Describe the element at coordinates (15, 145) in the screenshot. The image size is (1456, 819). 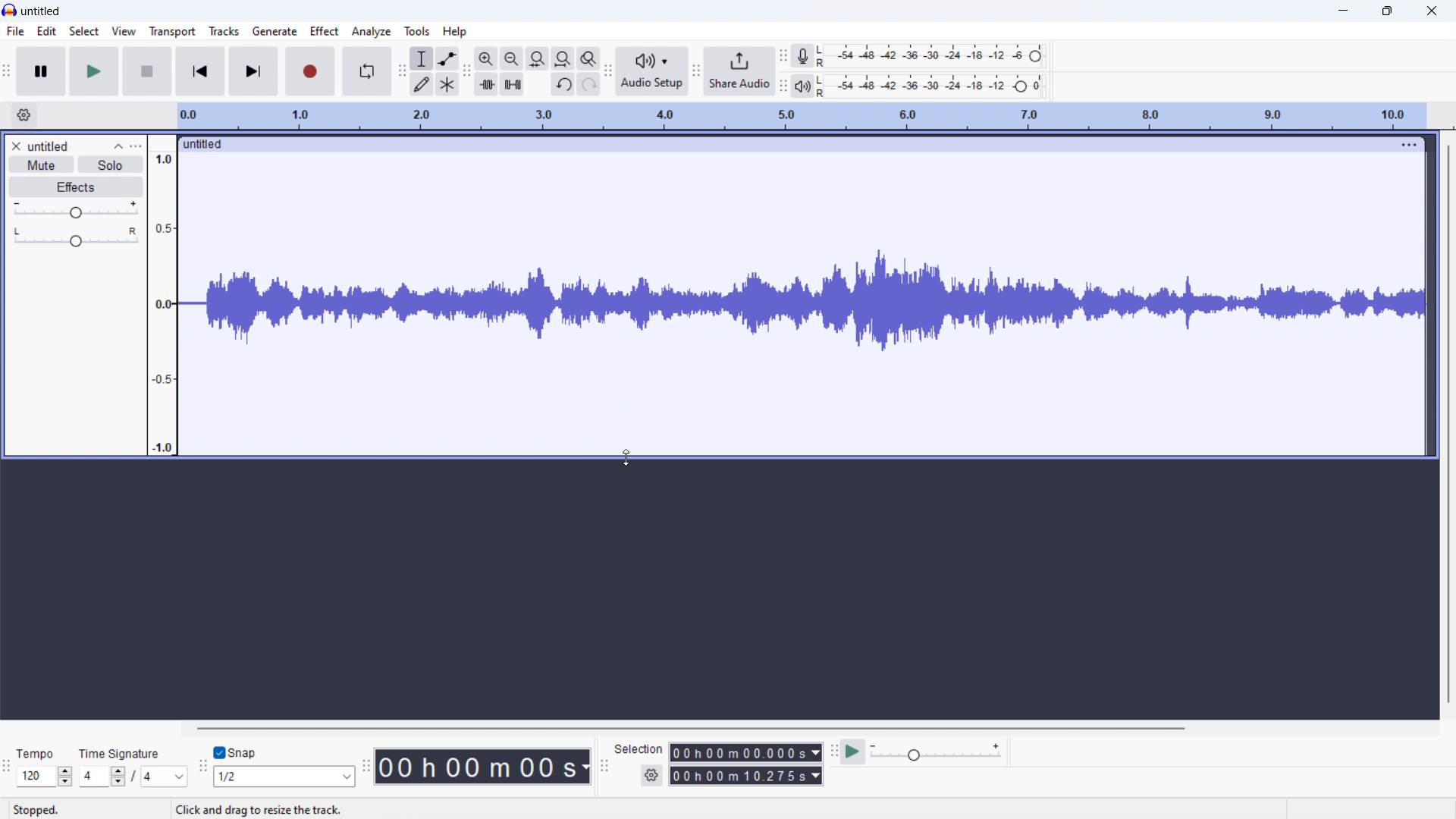
I see `remove track` at that location.